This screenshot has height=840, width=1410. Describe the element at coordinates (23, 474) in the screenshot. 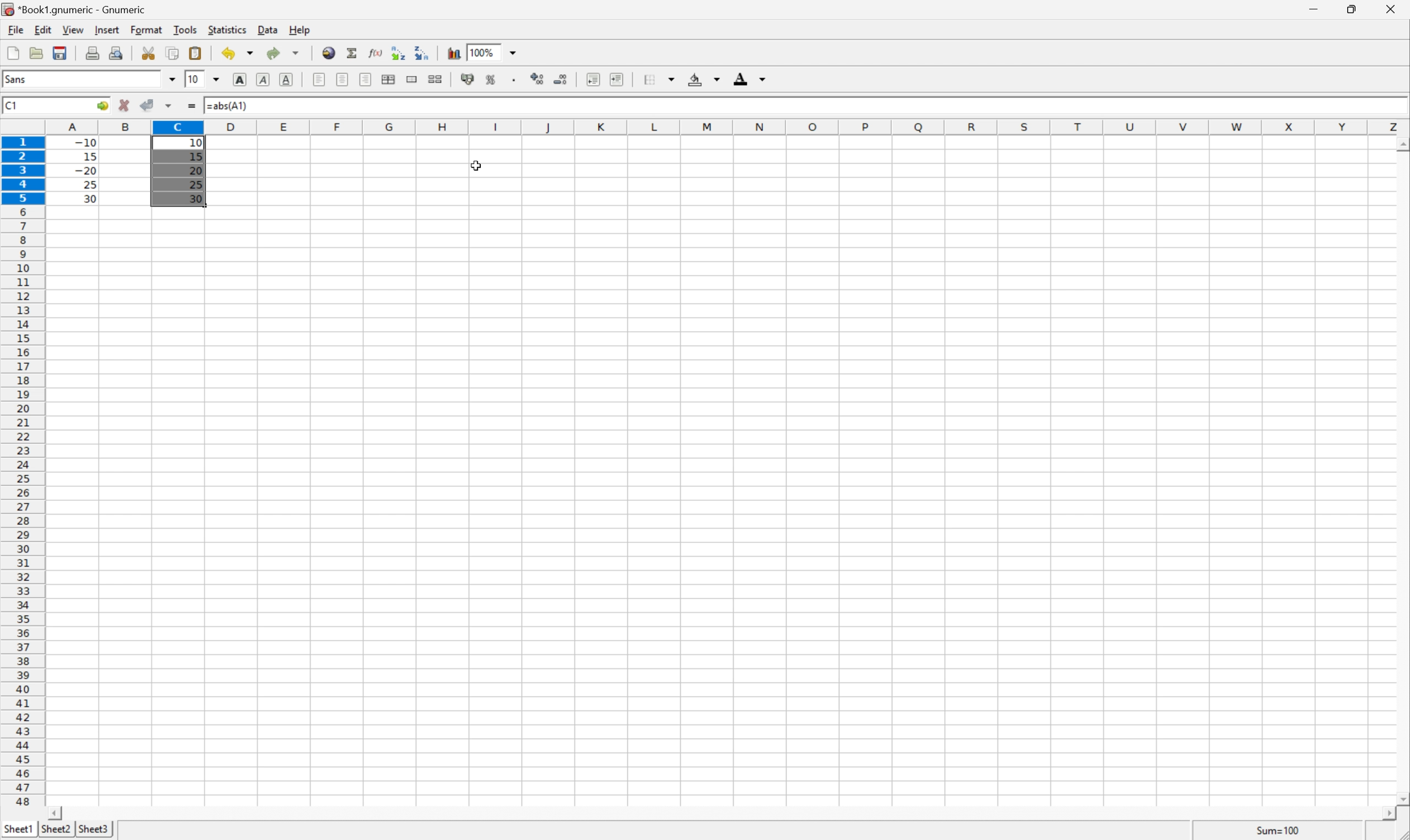

I see `Row numbers` at that location.